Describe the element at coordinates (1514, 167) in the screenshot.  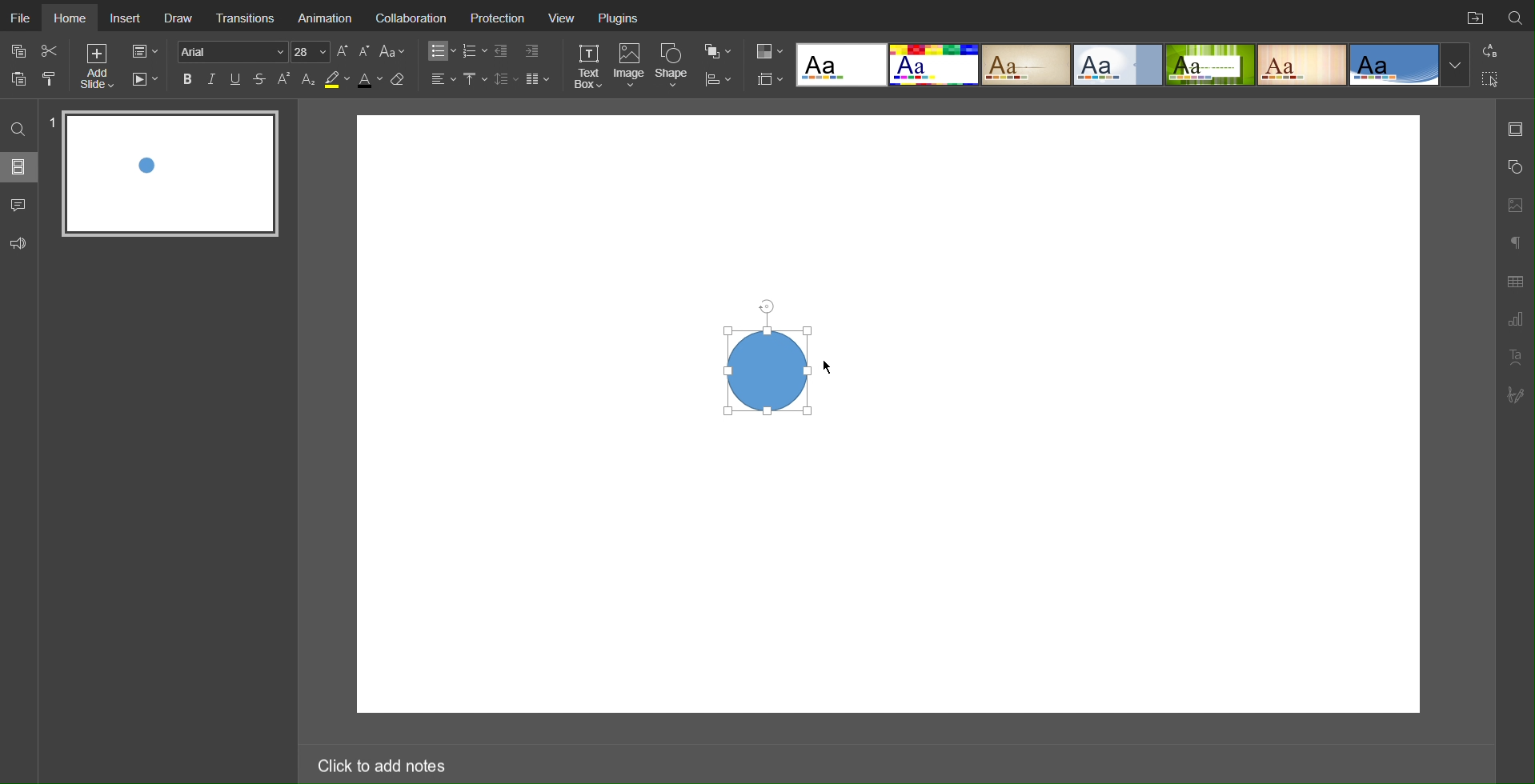
I see `Shape Settings` at that location.